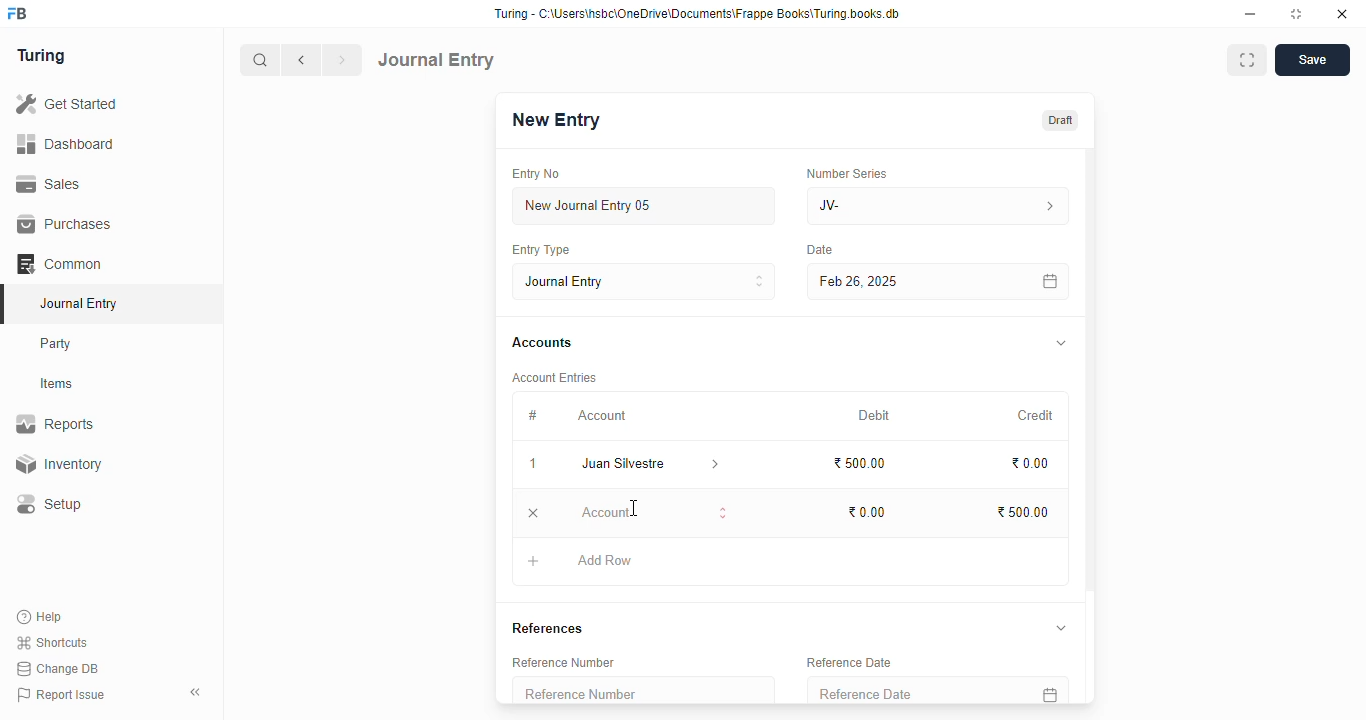 This screenshot has height=720, width=1366. I want to click on journal entry, so click(645, 281).